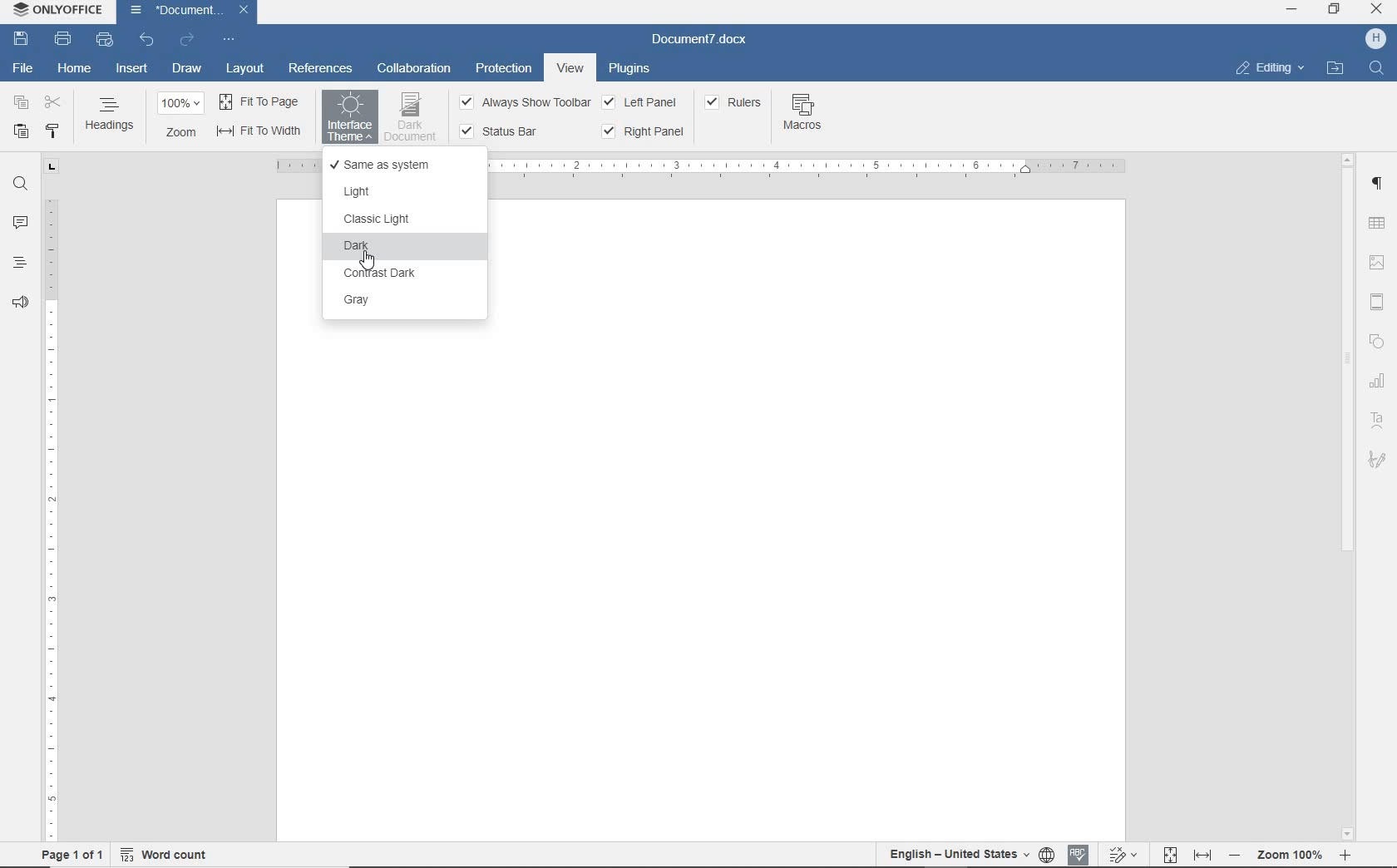 The height and width of the screenshot is (868, 1397). Describe the element at coordinates (188, 42) in the screenshot. I see `REDO` at that location.